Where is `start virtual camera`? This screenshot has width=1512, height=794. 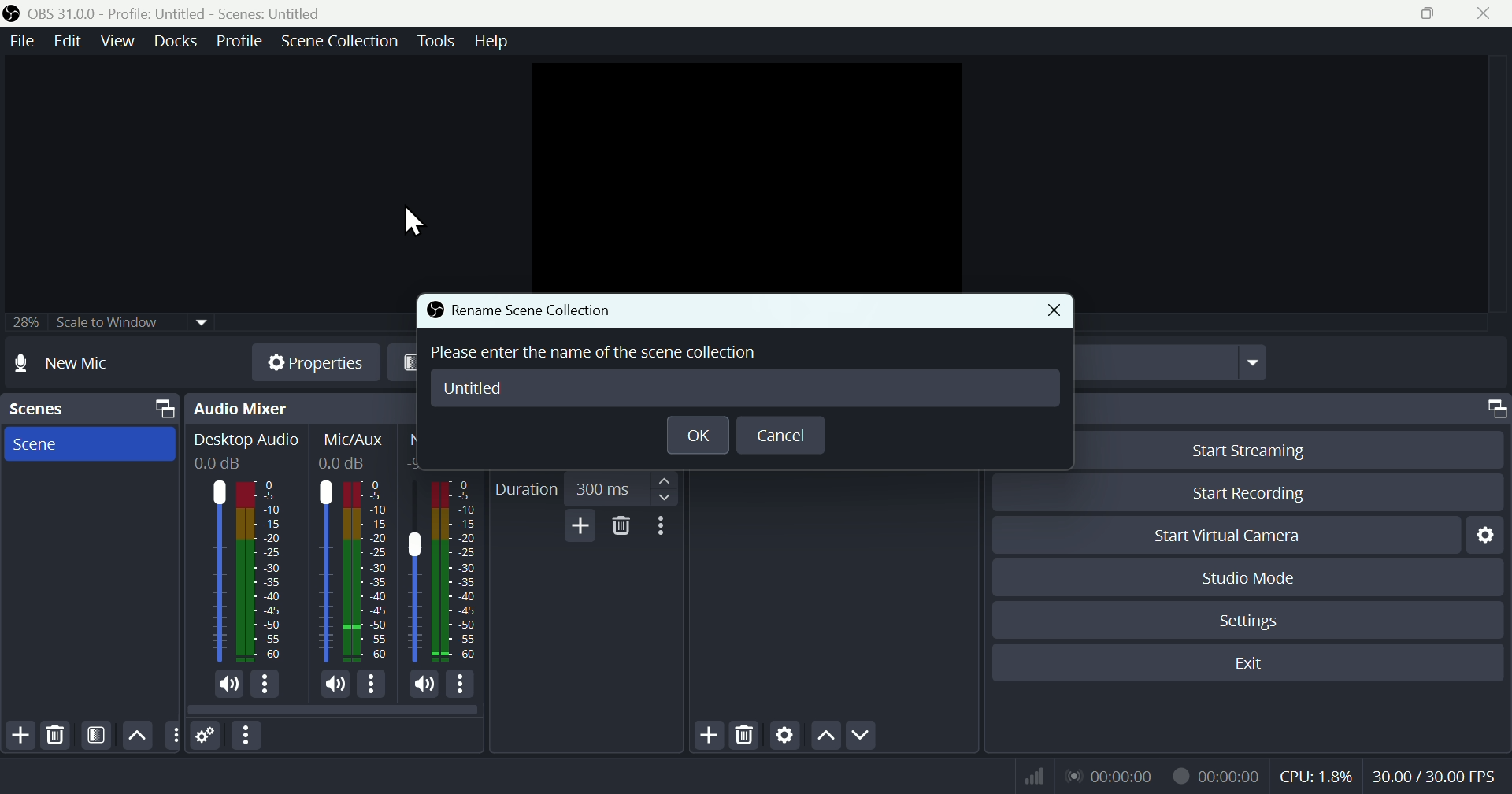 start virtual camera is located at coordinates (1215, 536).